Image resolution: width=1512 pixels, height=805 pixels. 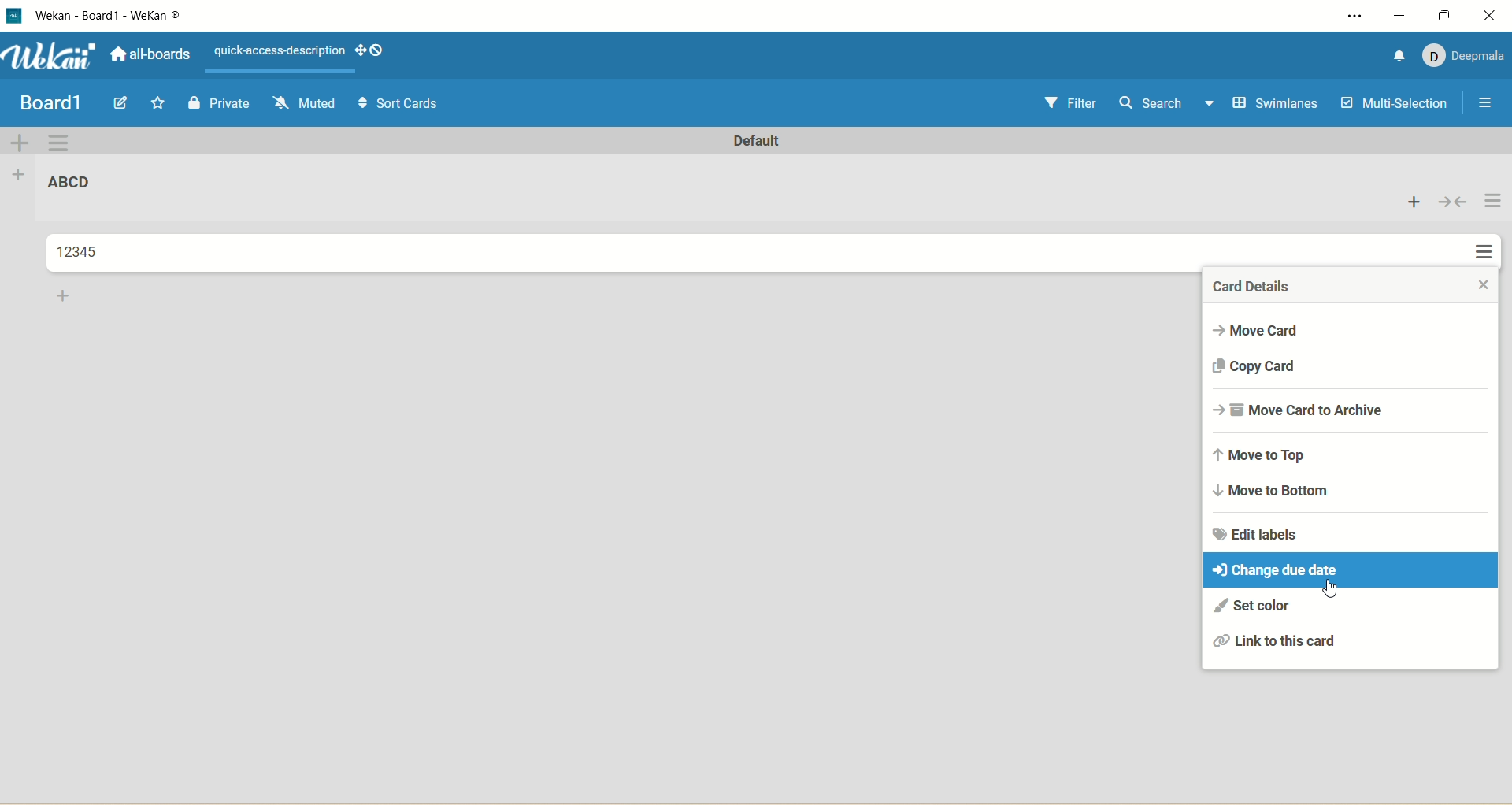 What do you see at coordinates (50, 104) in the screenshot?
I see `board1` at bounding box center [50, 104].